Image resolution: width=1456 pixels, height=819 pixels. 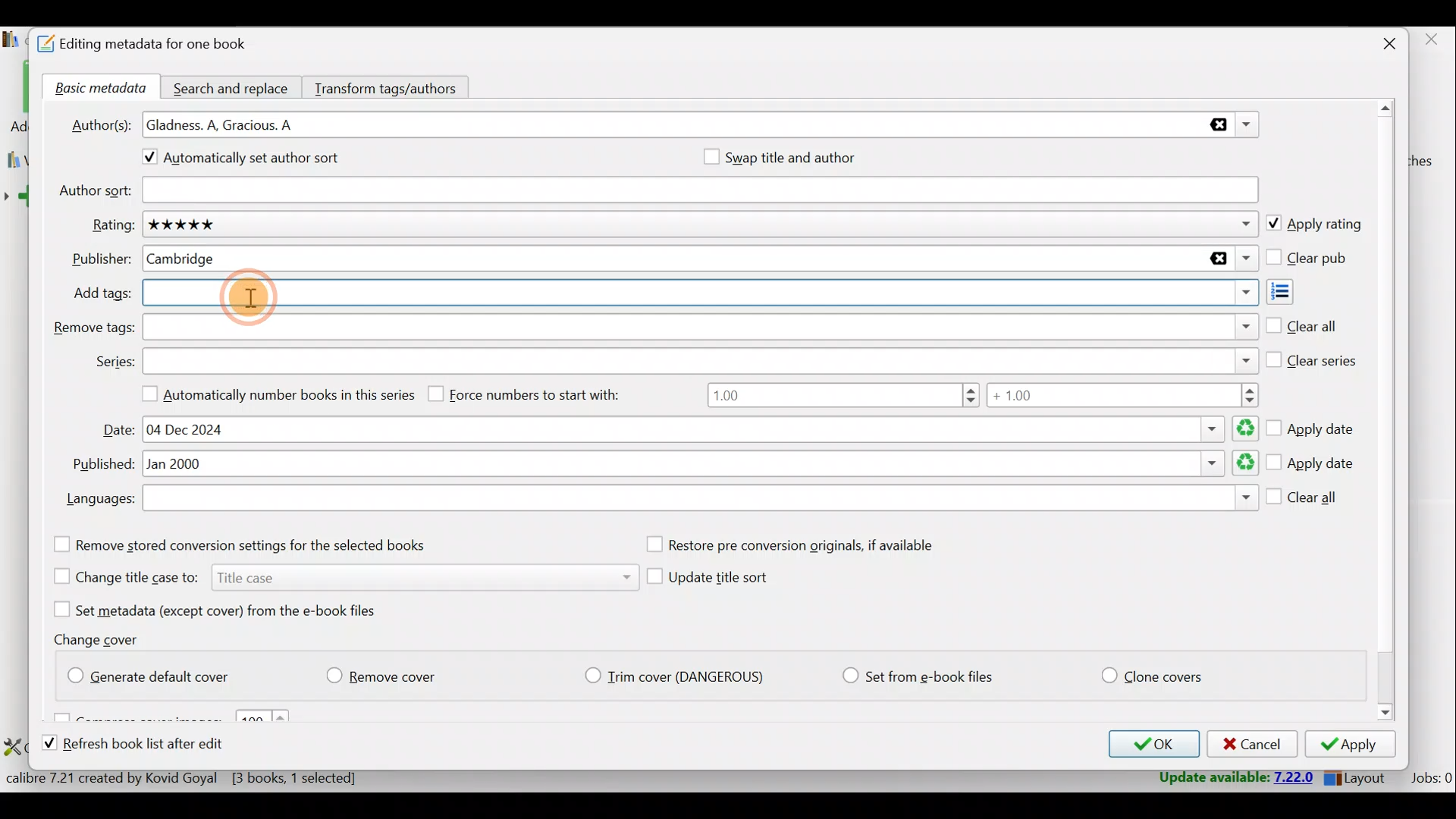 I want to click on Clear all, so click(x=1302, y=323).